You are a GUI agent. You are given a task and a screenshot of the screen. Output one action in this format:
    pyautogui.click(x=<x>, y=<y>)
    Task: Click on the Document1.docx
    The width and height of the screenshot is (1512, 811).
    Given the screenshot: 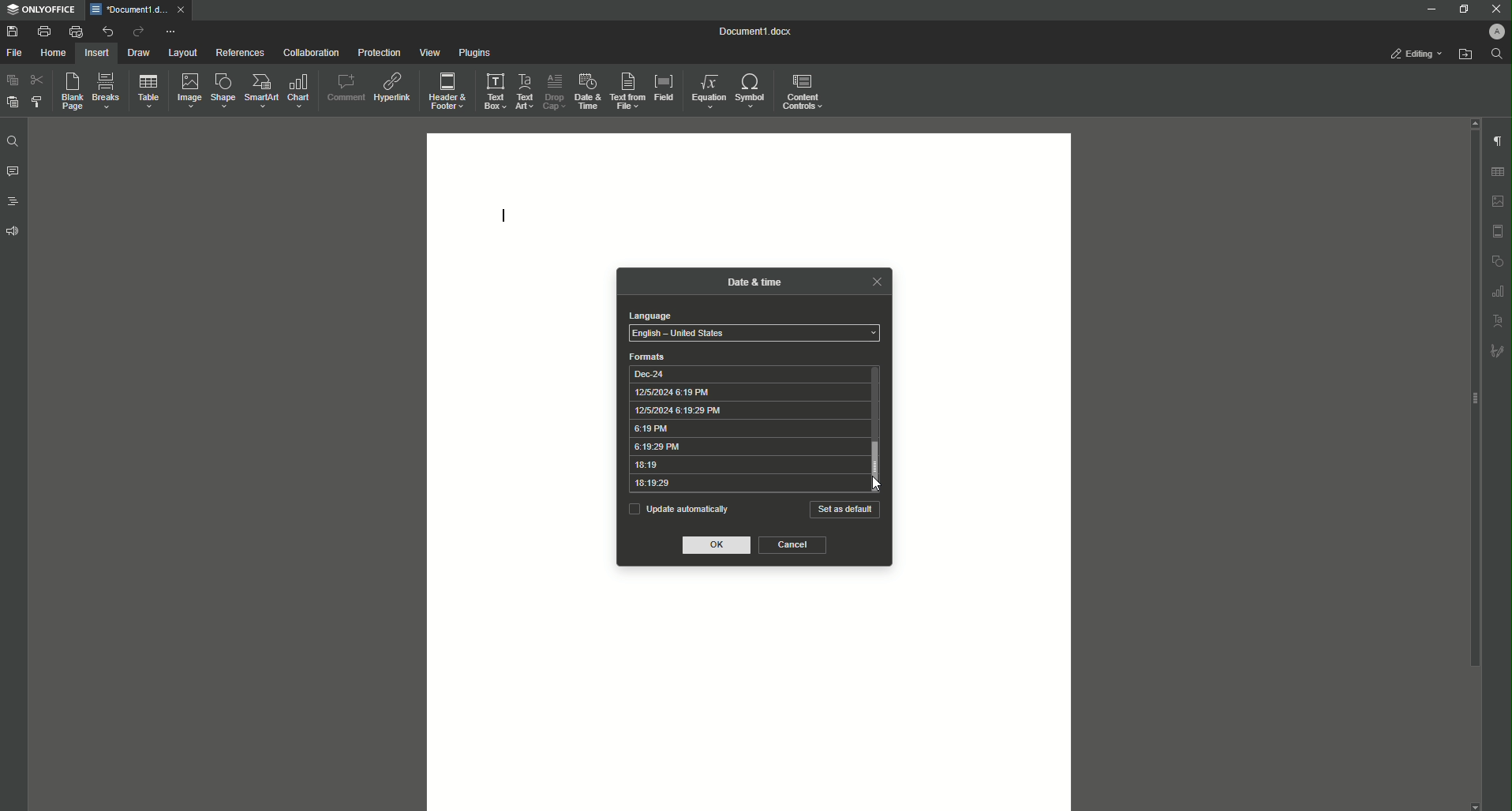 What is the action you would take?
    pyautogui.click(x=757, y=32)
    